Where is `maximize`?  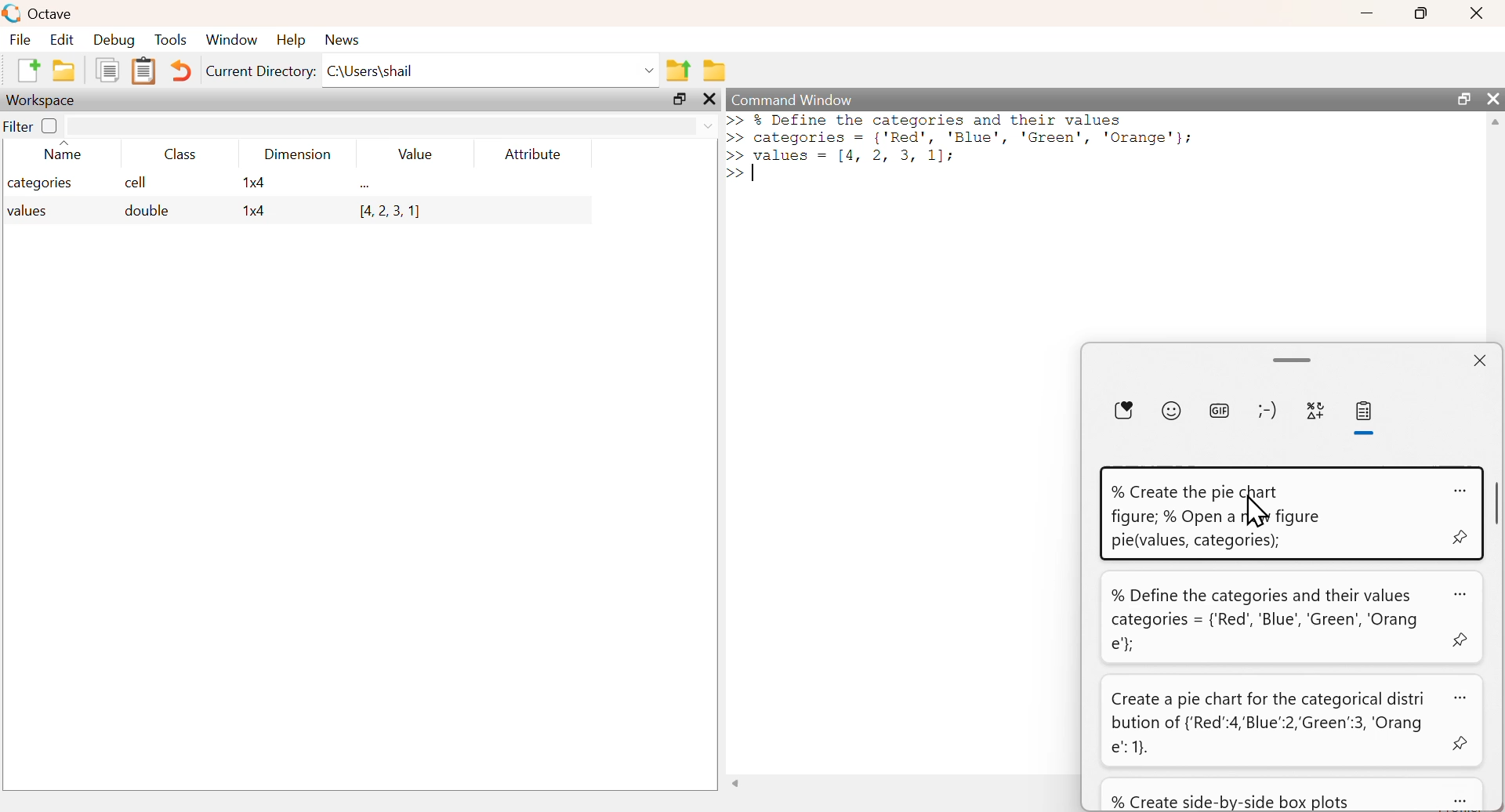 maximize is located at coordinates (678, 99).